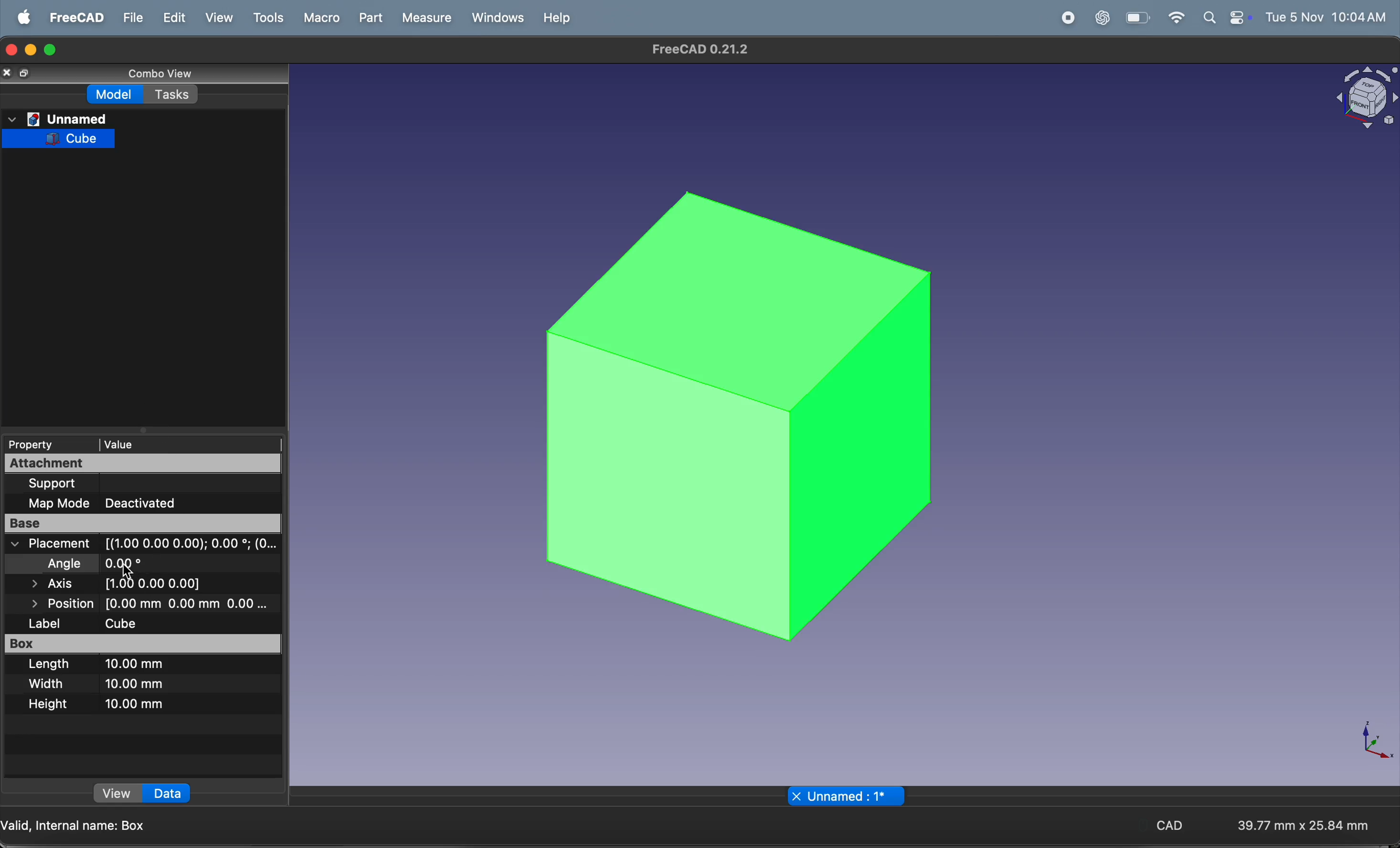 Image resolution: width=1400 pixels, height=848 pixels. What do you see at coordinates (21, 17) in the screenshot?
I see `apple` at bounding box center [21, 17].